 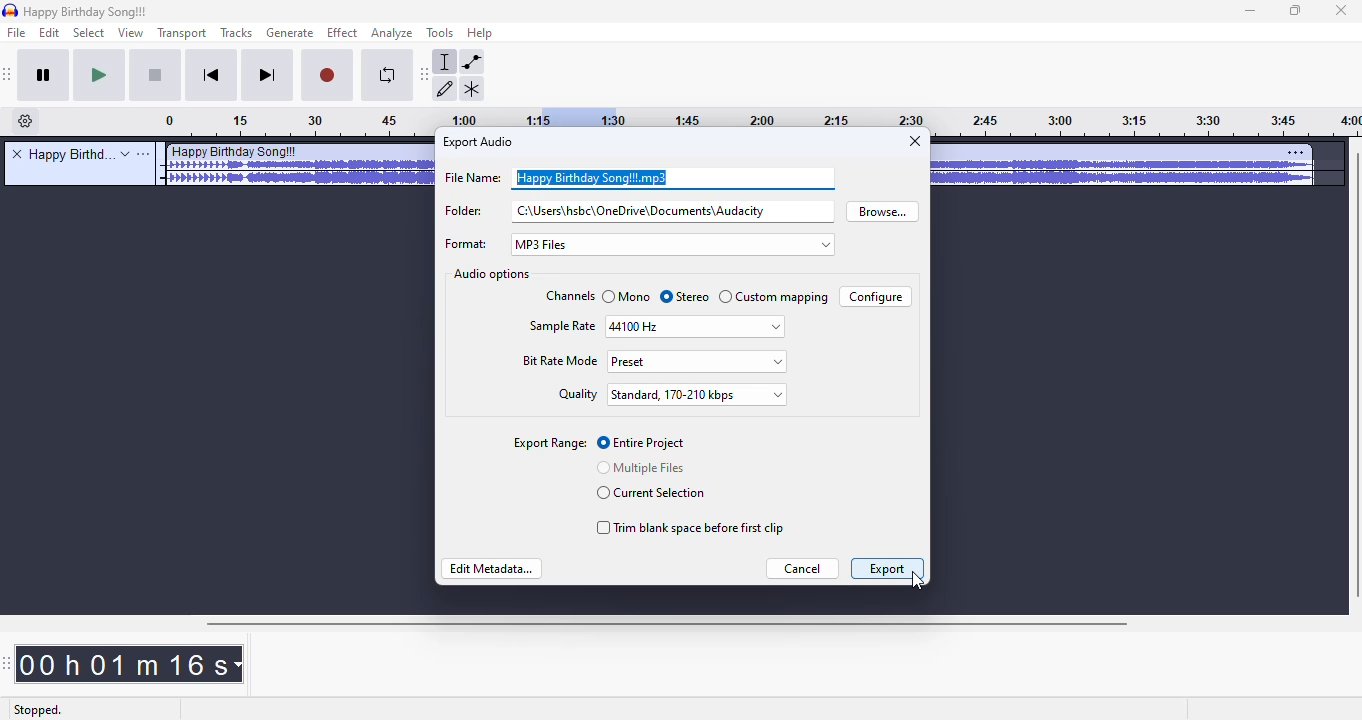 I want to click on audacity time toolbar, so click(x=7, y=664).